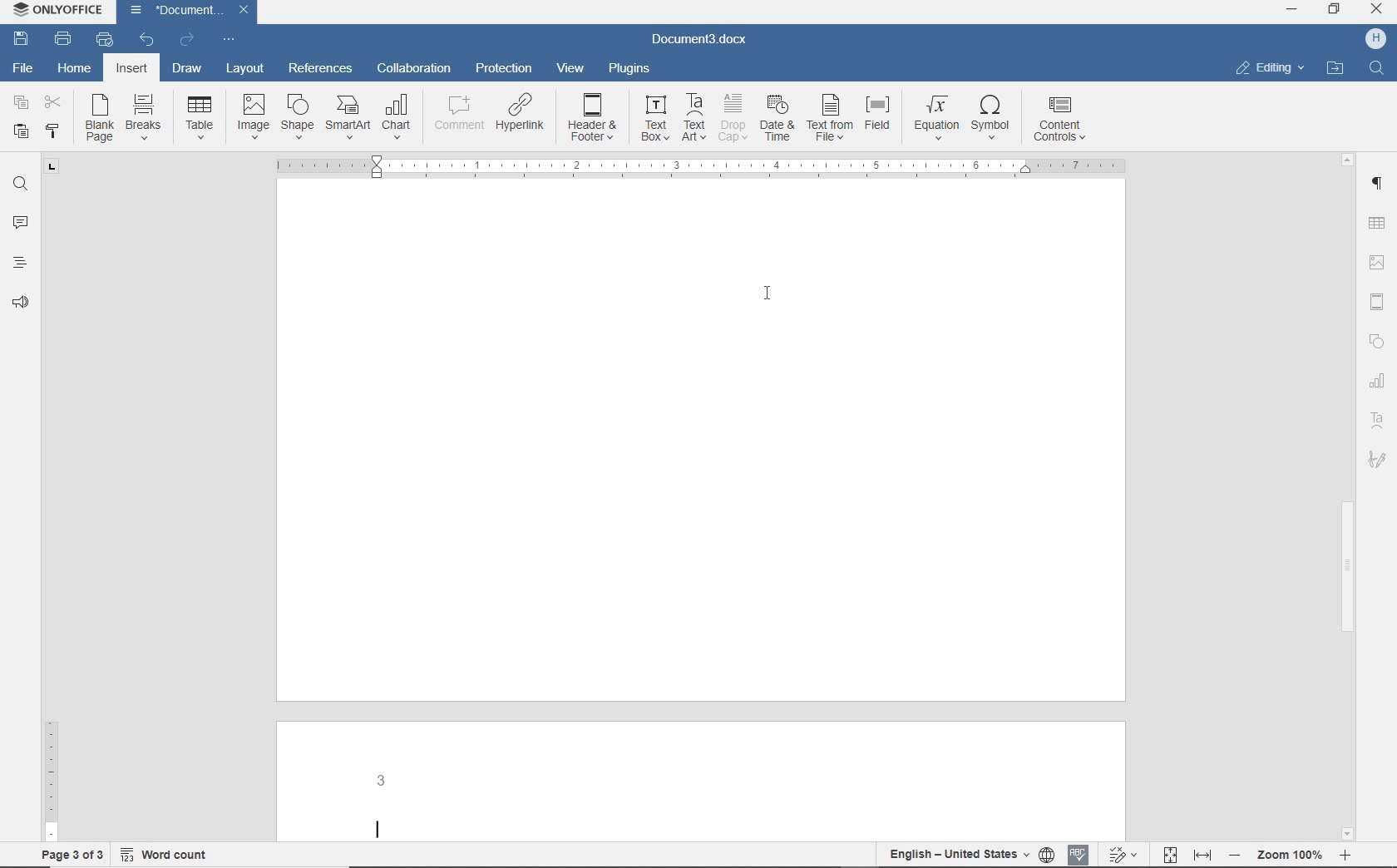 This screenshot has height=868, width=1397. I want to click on OPEN FILE LOCATION, so click(1336, 70).